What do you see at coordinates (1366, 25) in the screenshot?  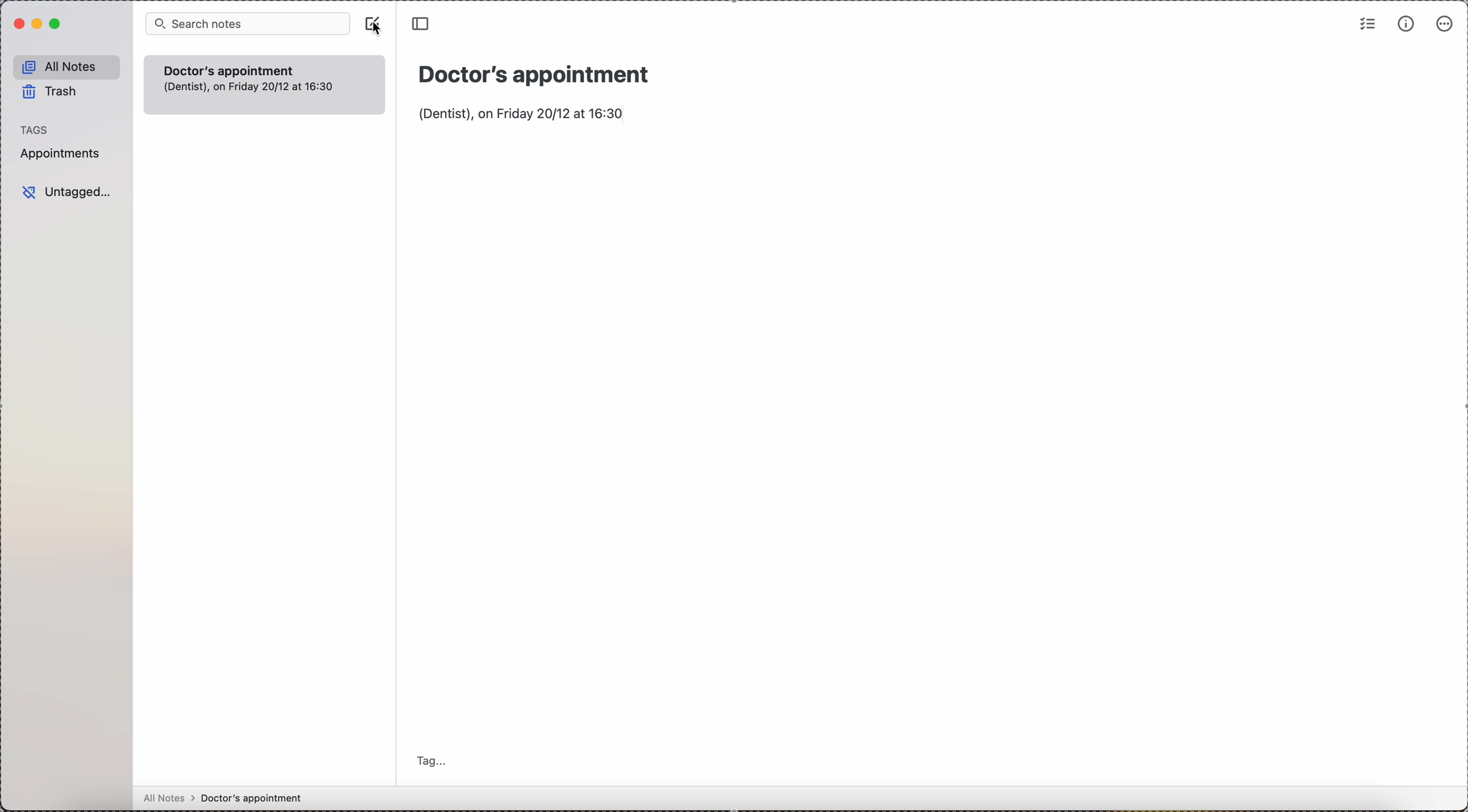 I see `check list` at bounding box center [1366, 25].